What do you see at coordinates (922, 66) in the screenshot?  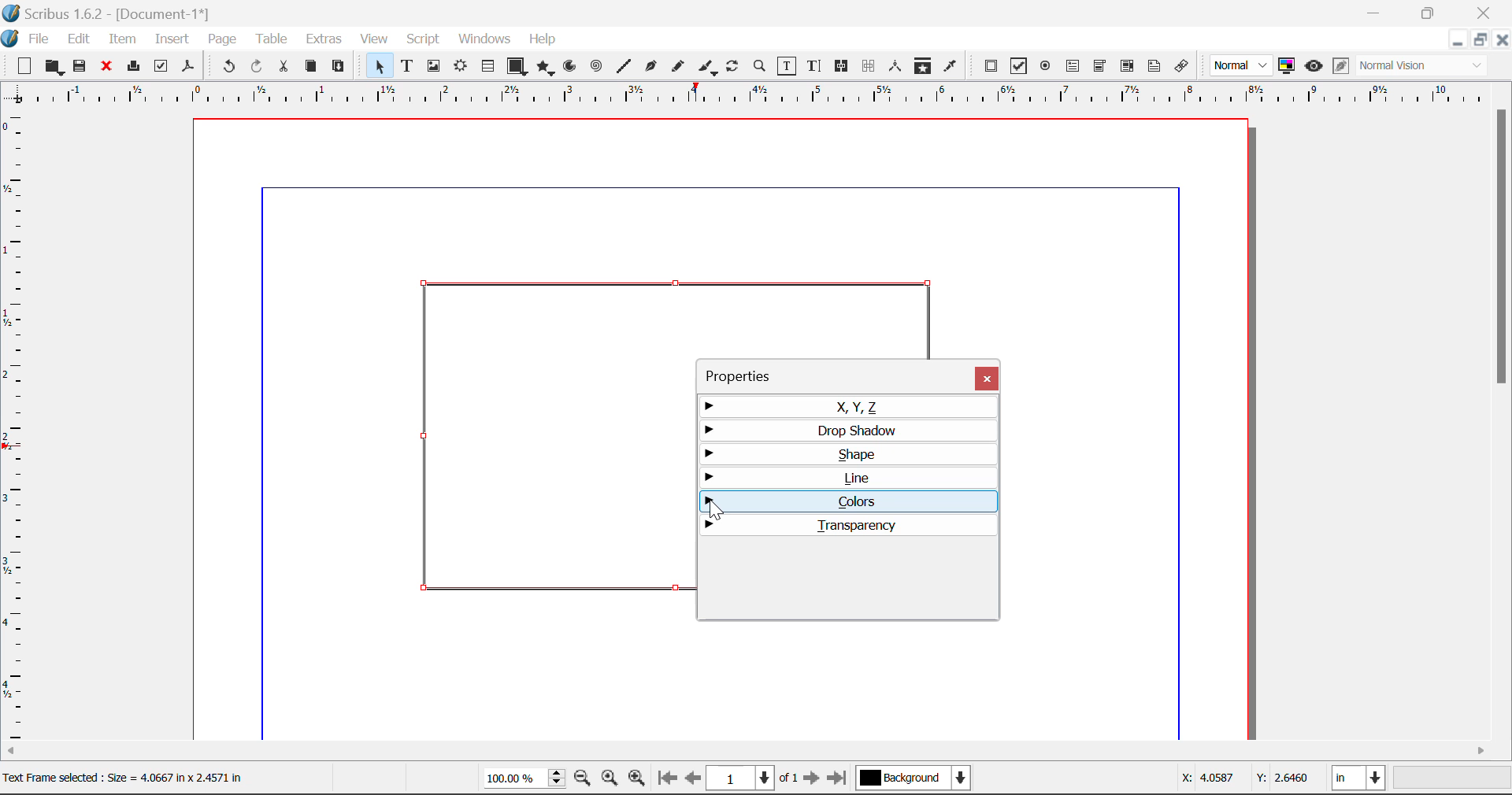 I see `Copy Item Properties` at bounding box center [922, 66].